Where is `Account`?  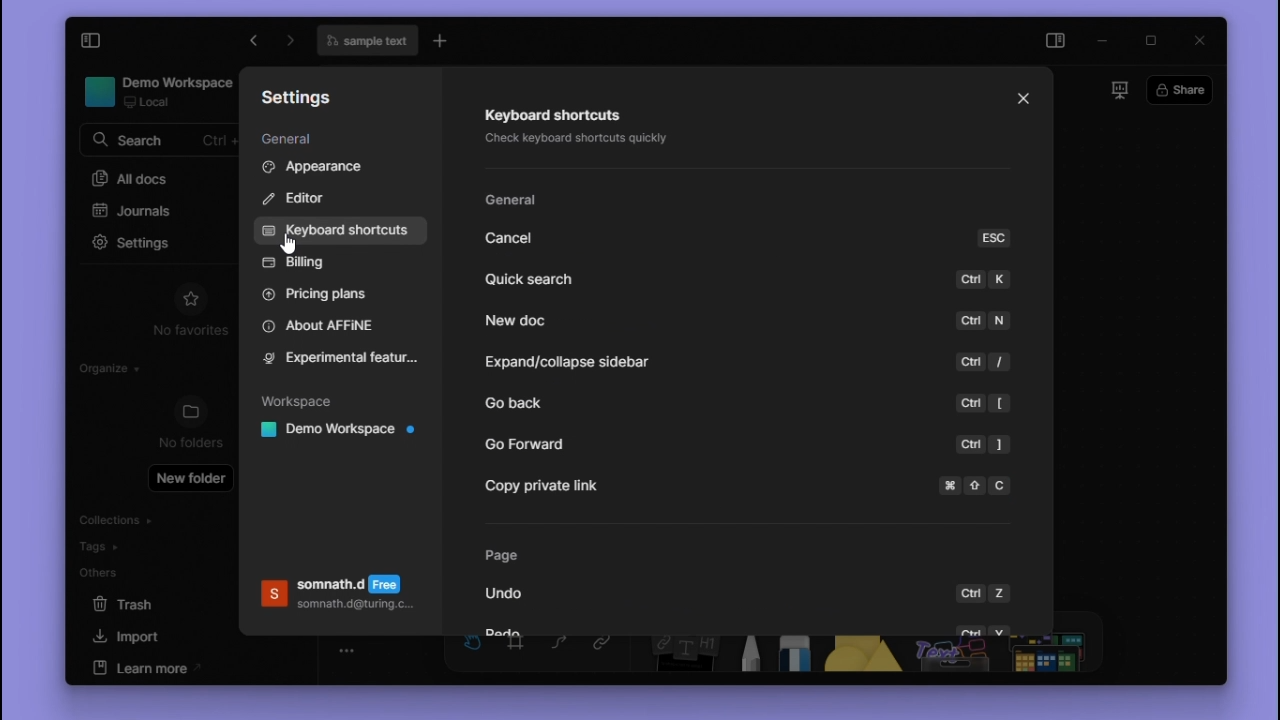 Account is located at coordinates (339, 598).